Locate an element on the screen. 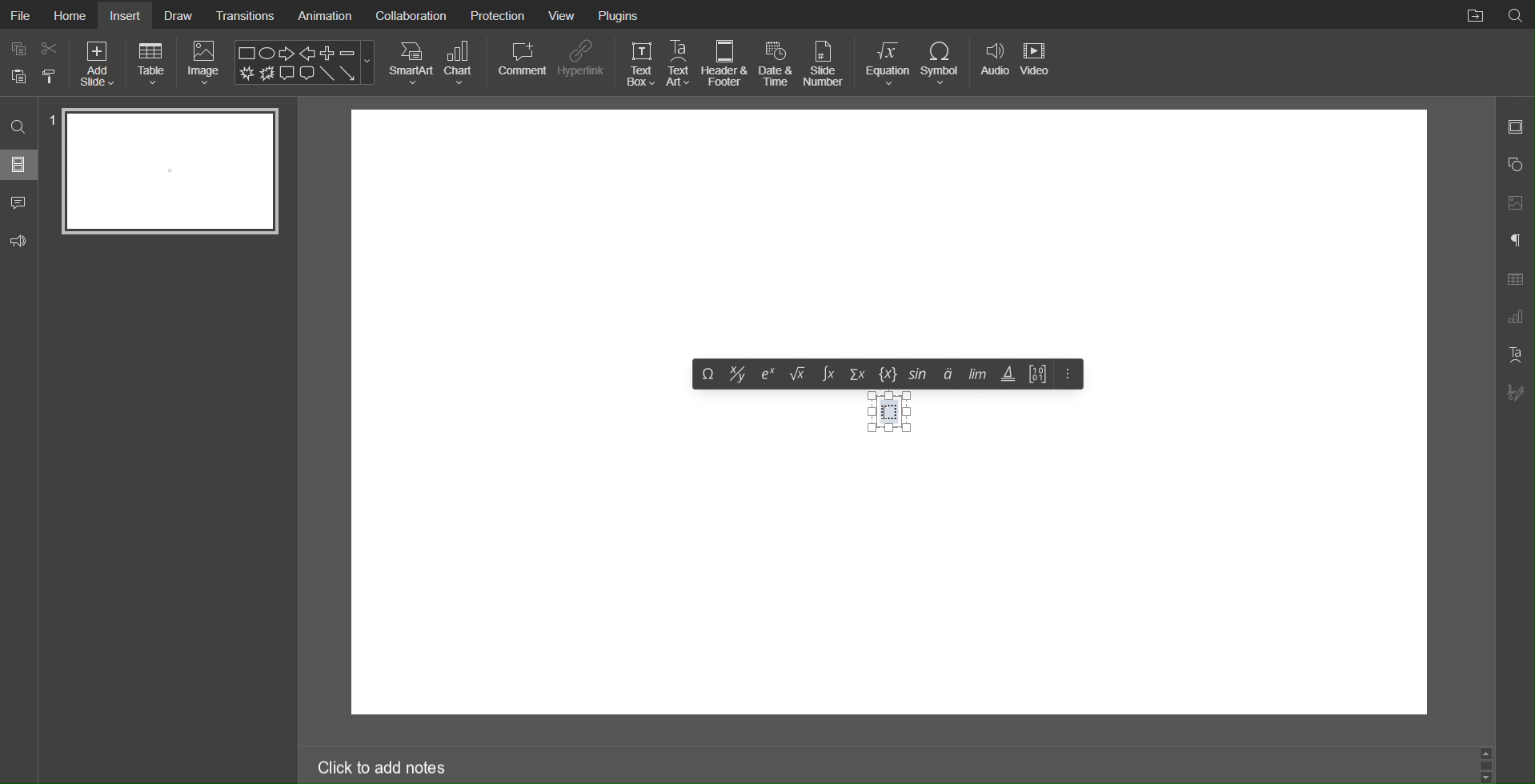 Image resolution: width=1535 pixels, height=784 pixels. Search is located at coordinates (1516, 15).